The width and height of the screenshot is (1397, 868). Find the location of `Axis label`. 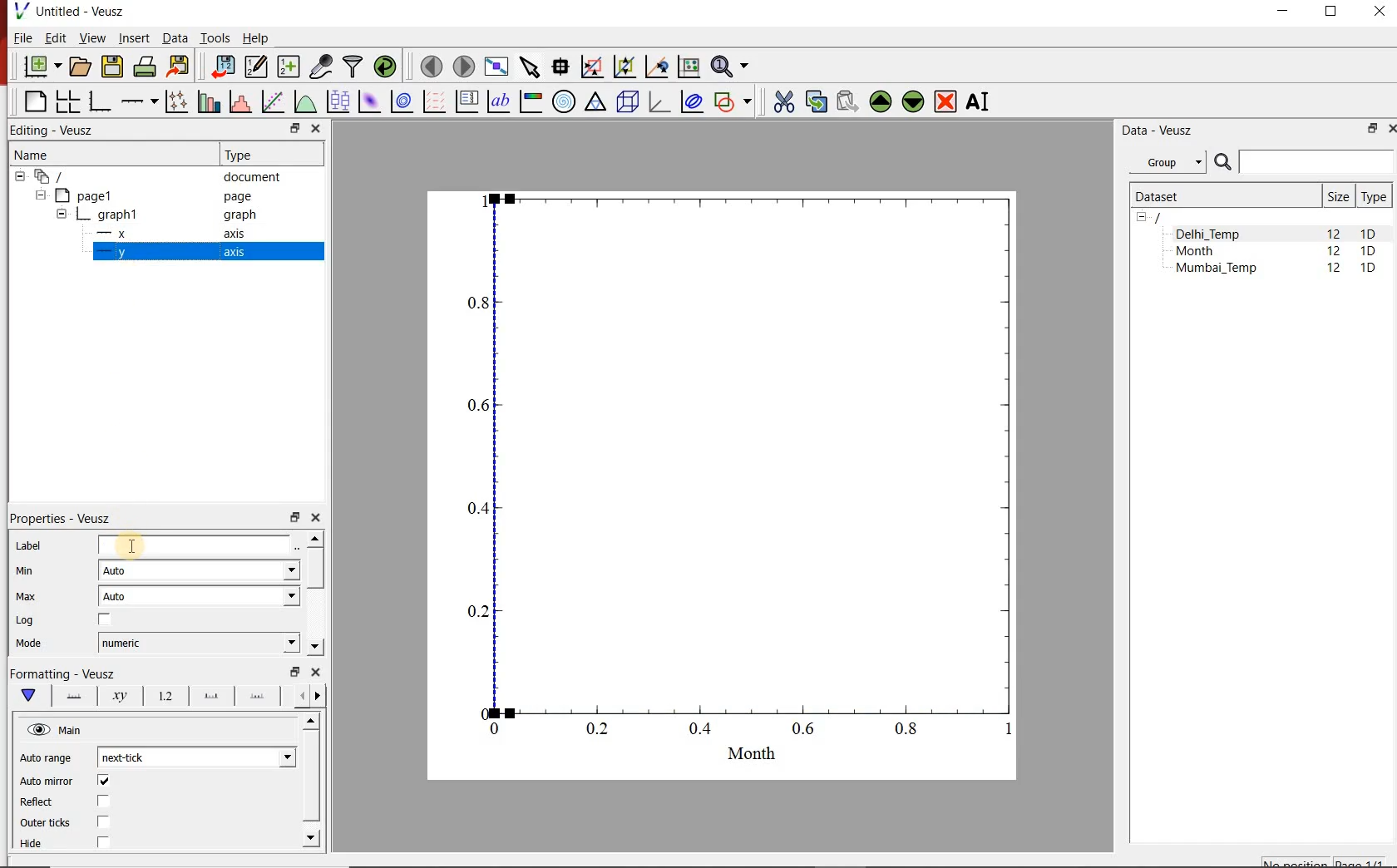

Axis label is located at coordinates (116, 696).